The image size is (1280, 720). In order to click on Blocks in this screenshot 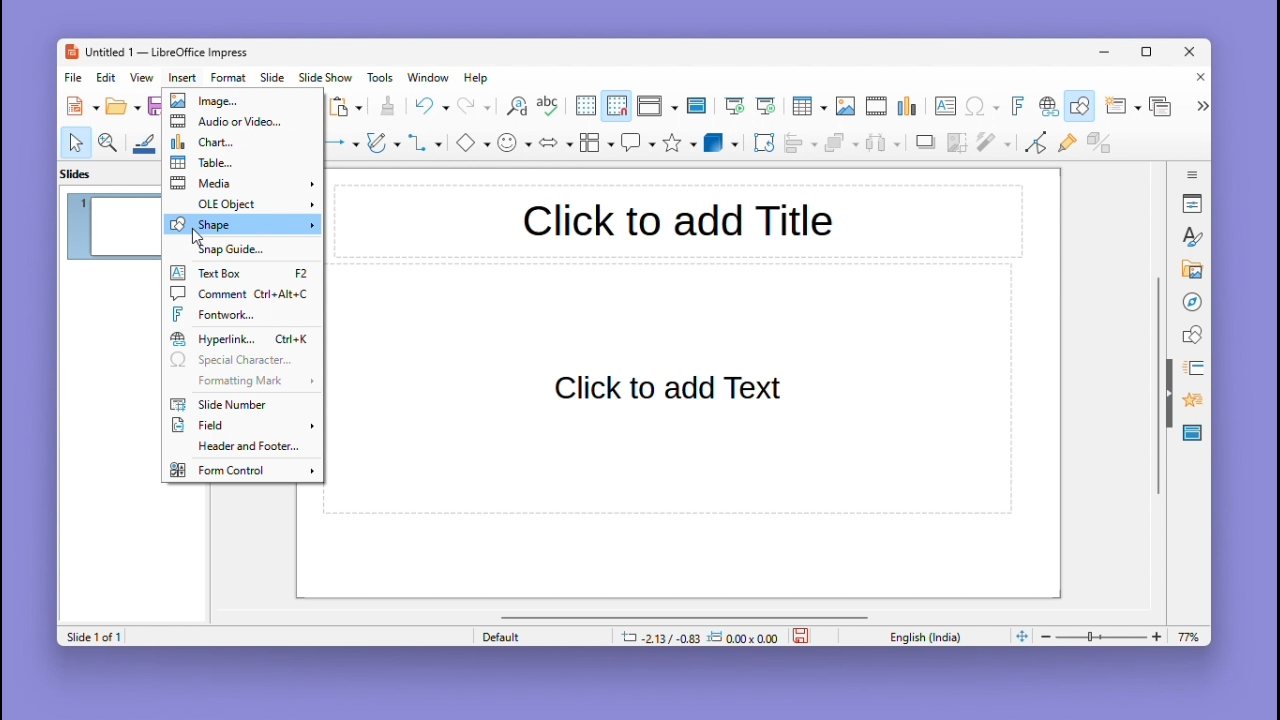, I will do `click(597, 142)`.